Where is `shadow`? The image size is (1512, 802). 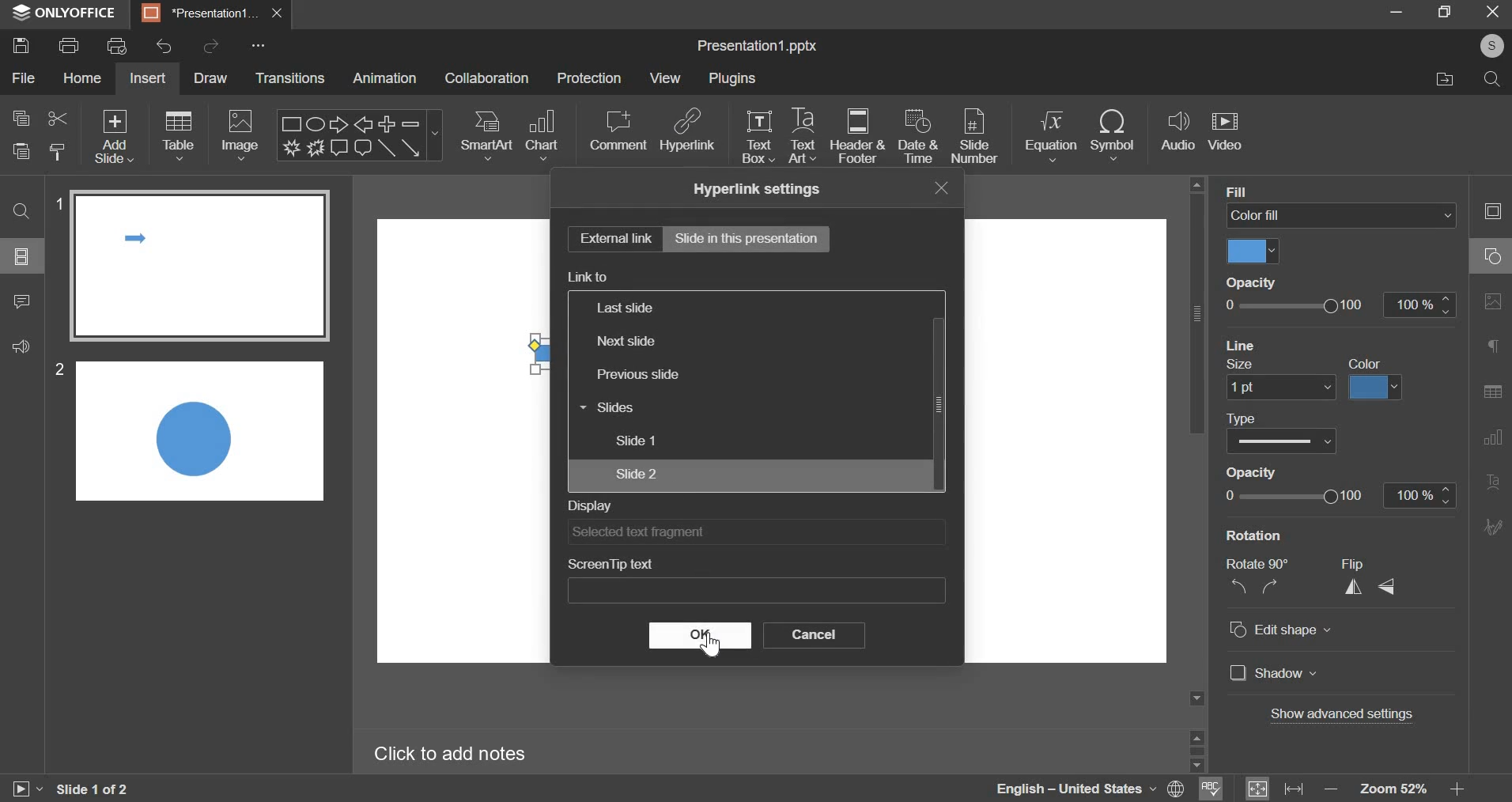 shadow is located at coordinates (1277, 674).